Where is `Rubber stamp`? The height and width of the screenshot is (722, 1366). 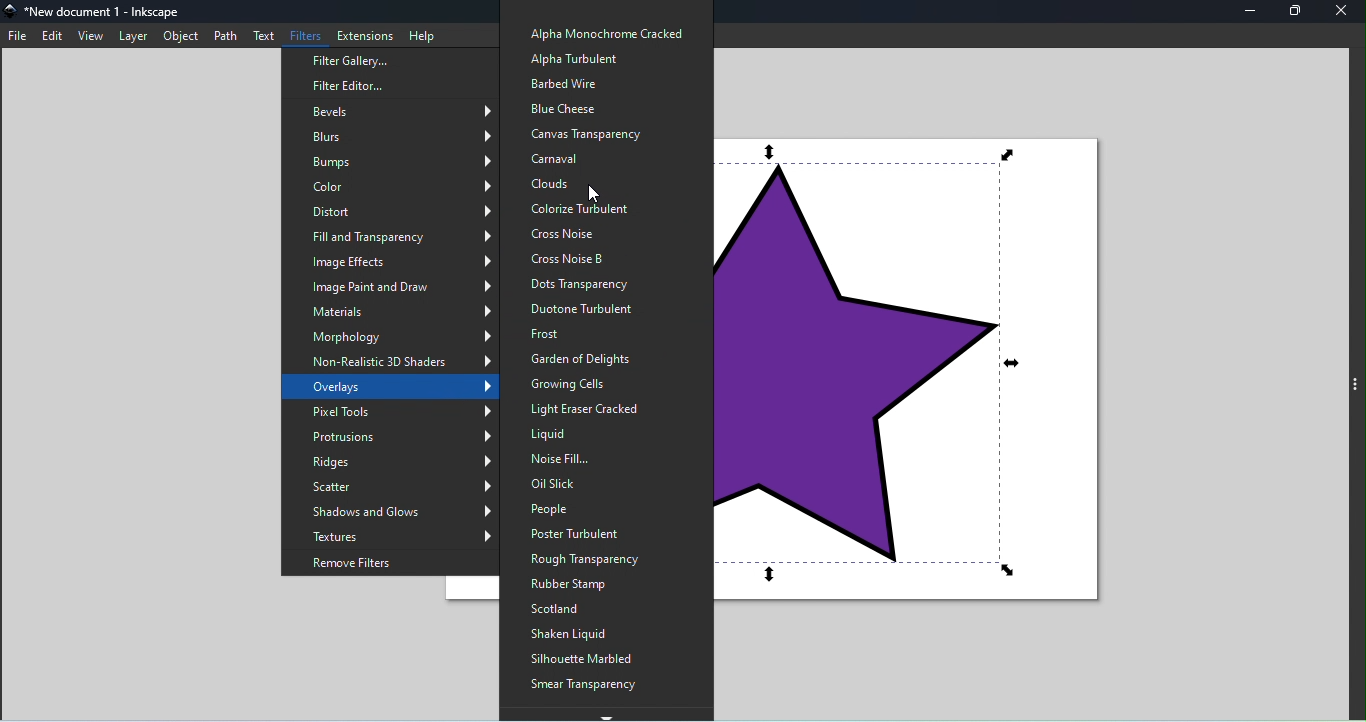 Rubber stamp is located at coordinates (600, 585).